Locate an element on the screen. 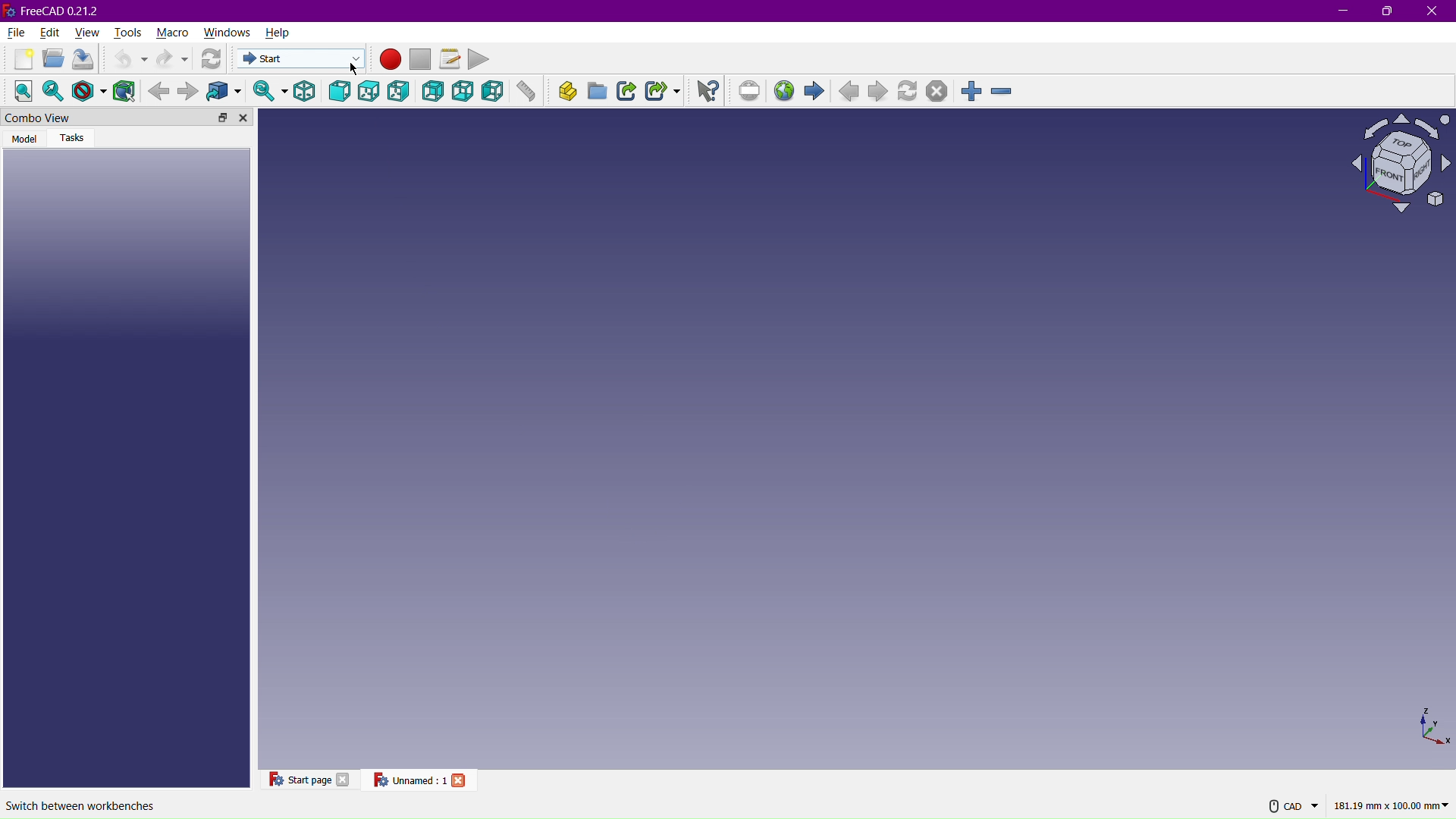 This screenshot has width=1456, height=819. Bottom is located at coordinates (463, 89).